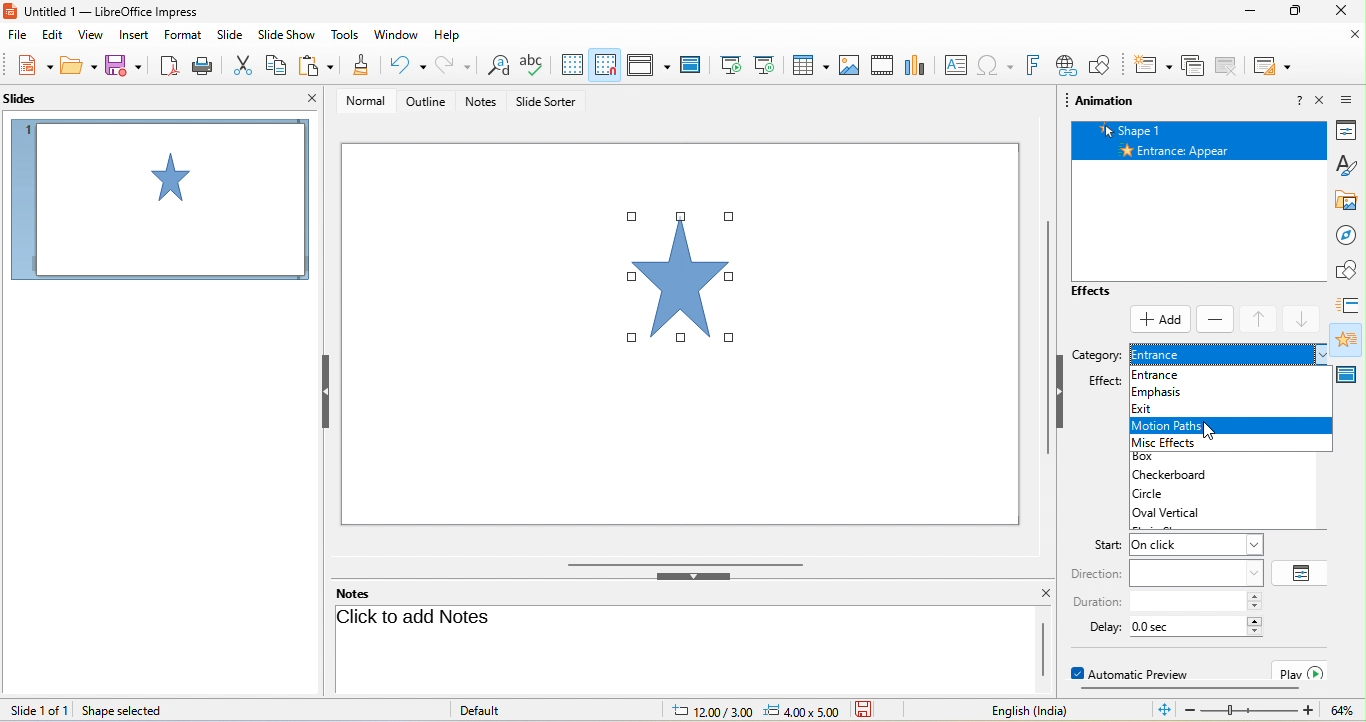 The image size is (1366, 722). Describe the element at coordinates (1350, 339) in the screenshot. I see `animation` at that location.